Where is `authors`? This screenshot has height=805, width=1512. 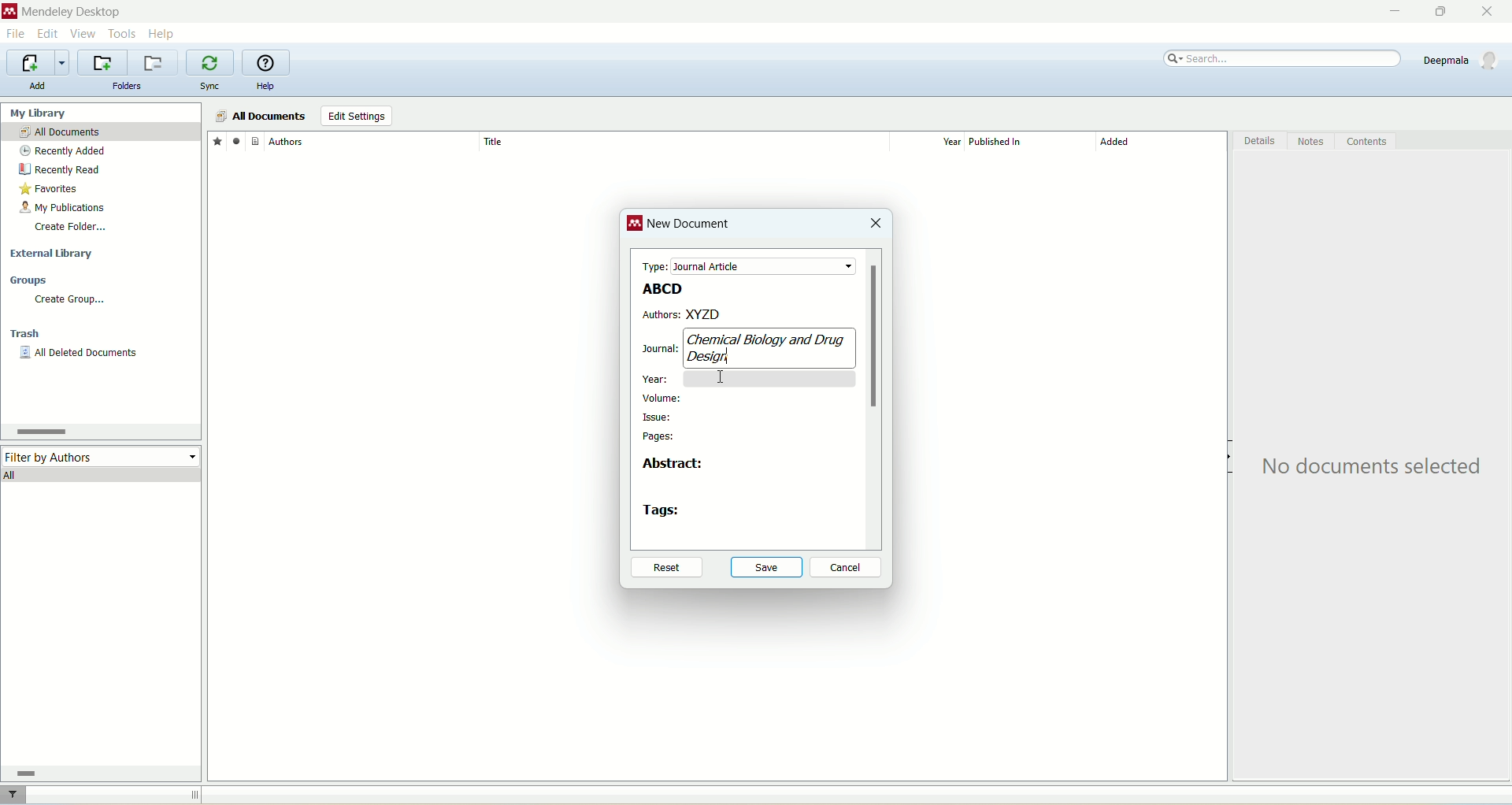 authors is located at coordinates (660, 315).